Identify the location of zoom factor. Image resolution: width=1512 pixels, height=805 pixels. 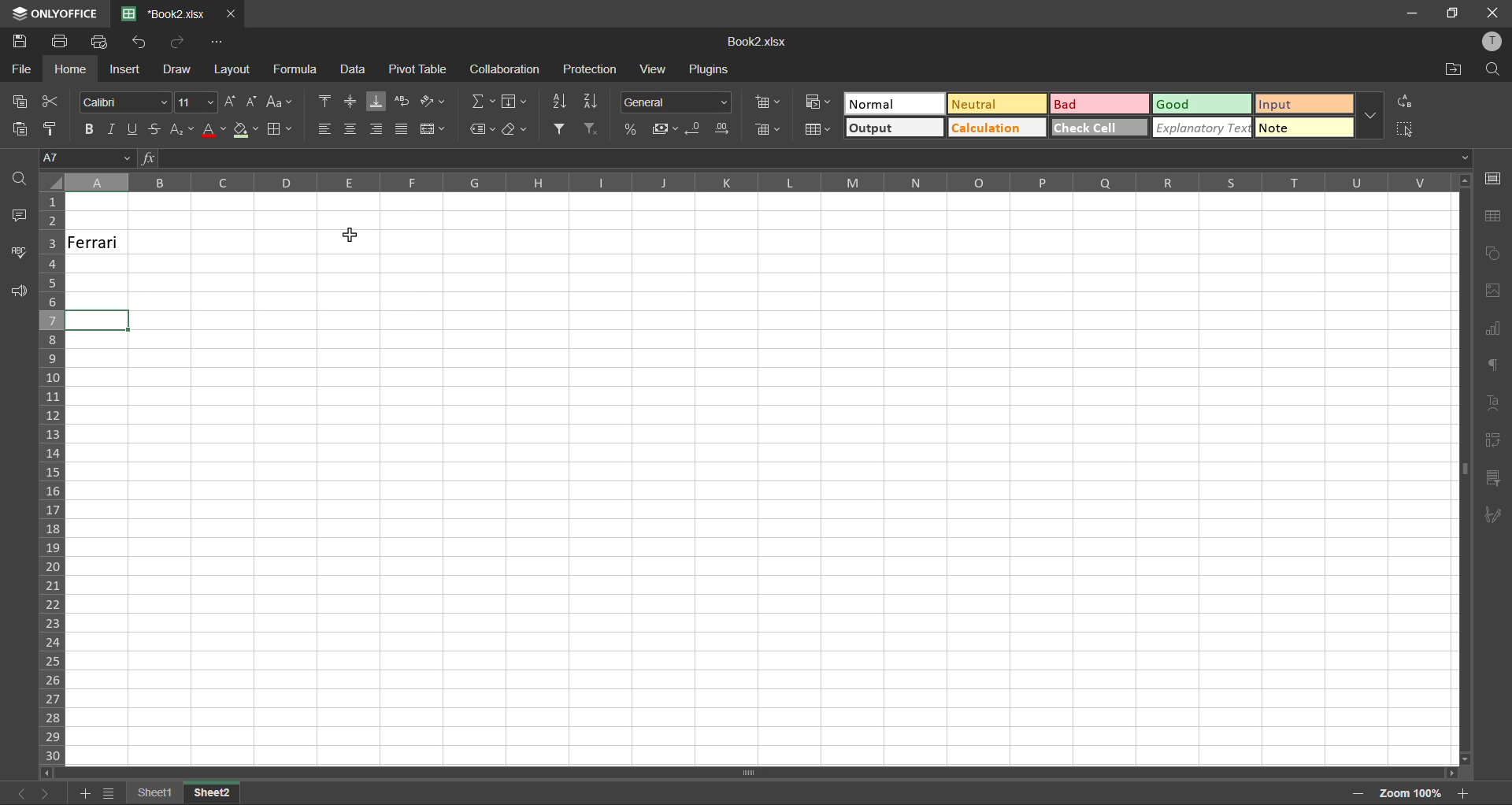
(1406, 795).